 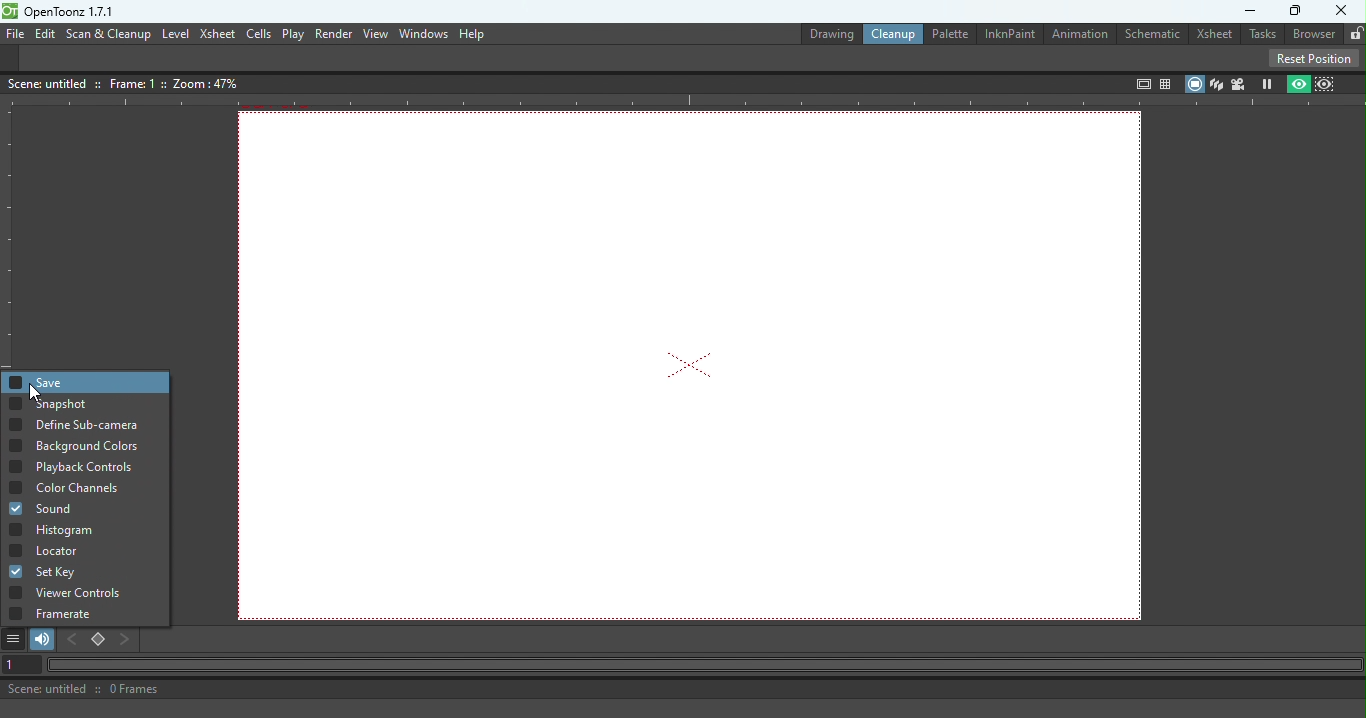 I want to click on Locator, so click(x=50, y=550).